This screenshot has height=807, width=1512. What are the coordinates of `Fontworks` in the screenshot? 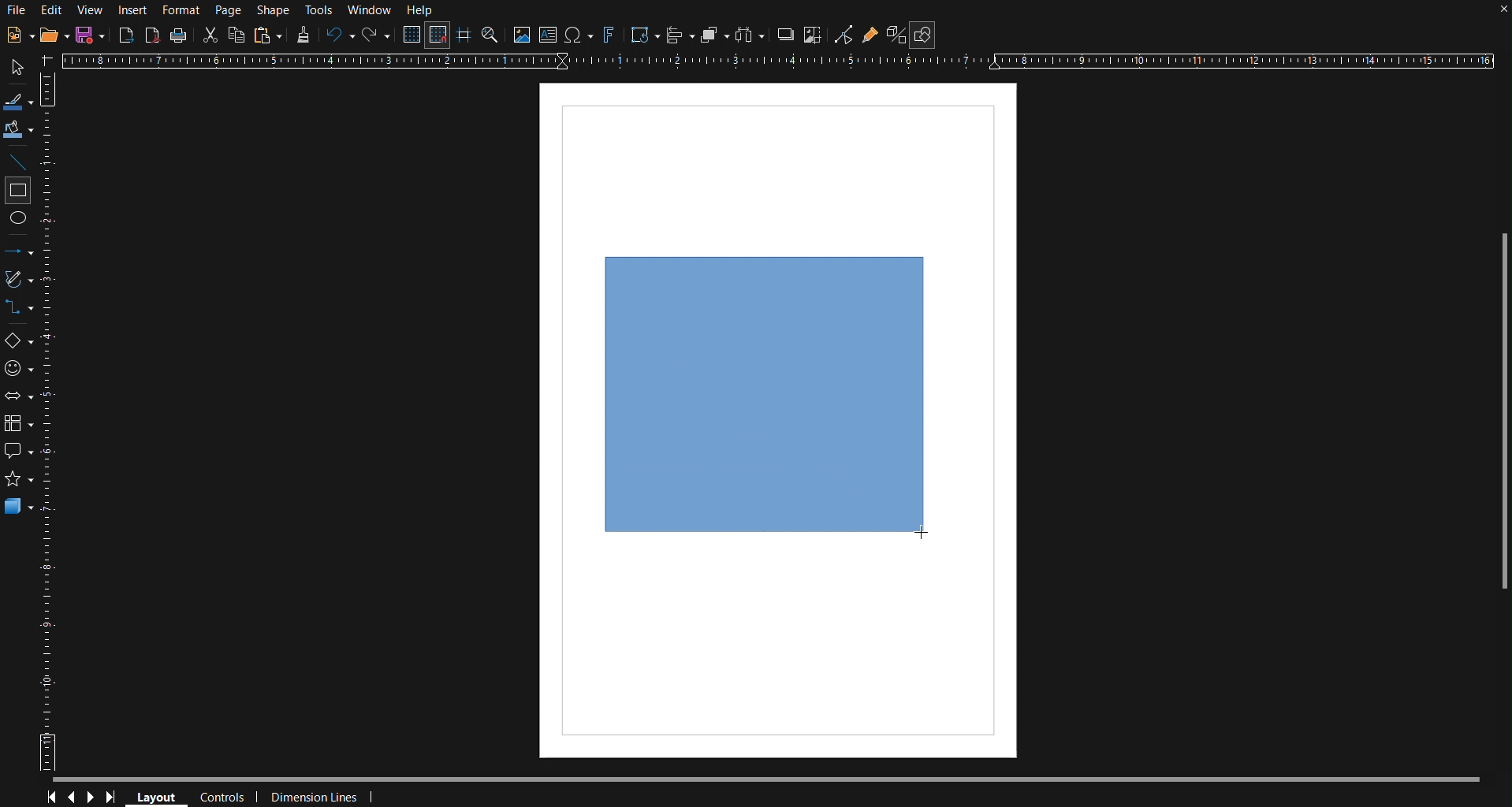 It's located at (608, 35).